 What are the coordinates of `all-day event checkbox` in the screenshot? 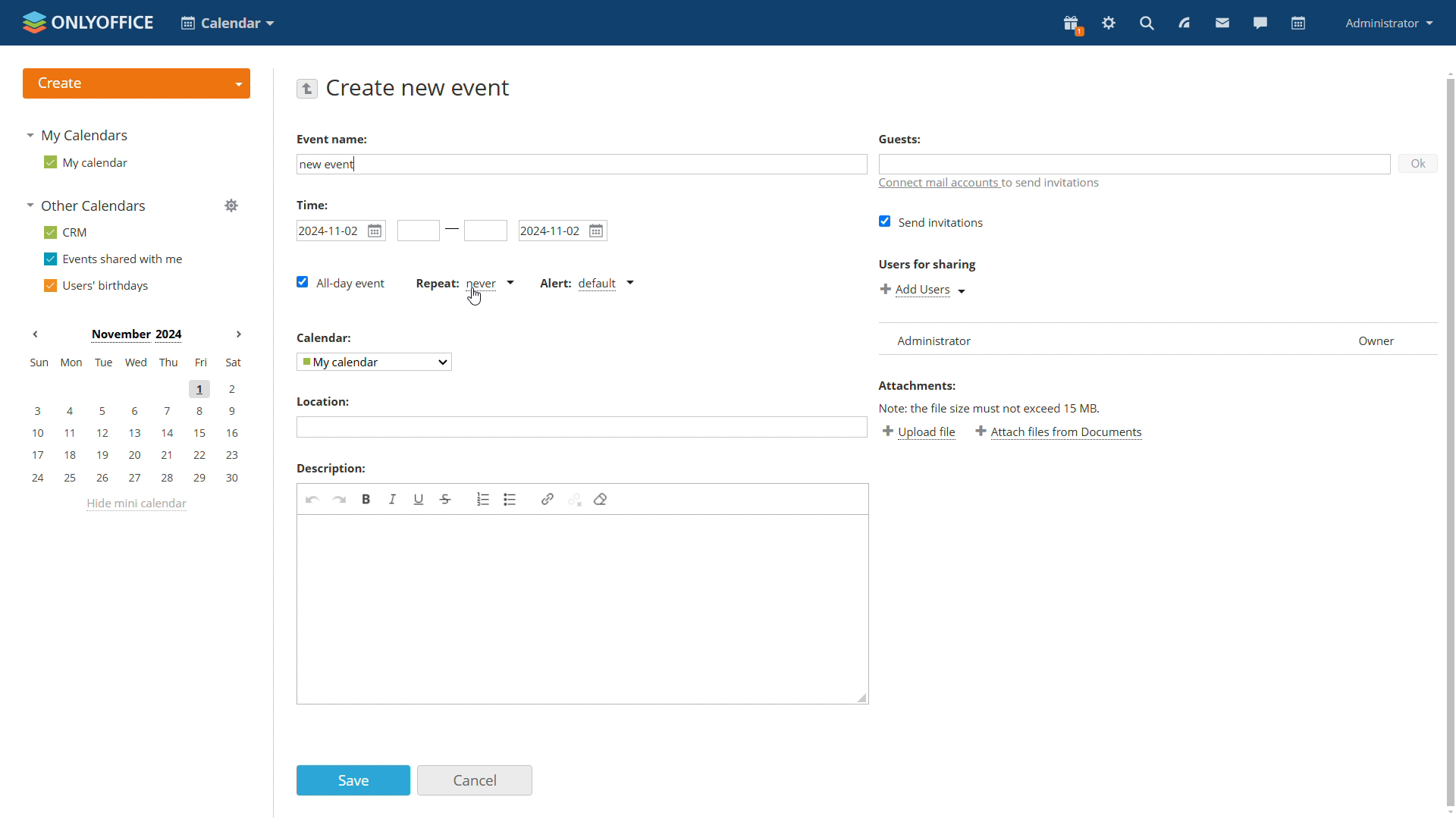 It's located at (343, 283).